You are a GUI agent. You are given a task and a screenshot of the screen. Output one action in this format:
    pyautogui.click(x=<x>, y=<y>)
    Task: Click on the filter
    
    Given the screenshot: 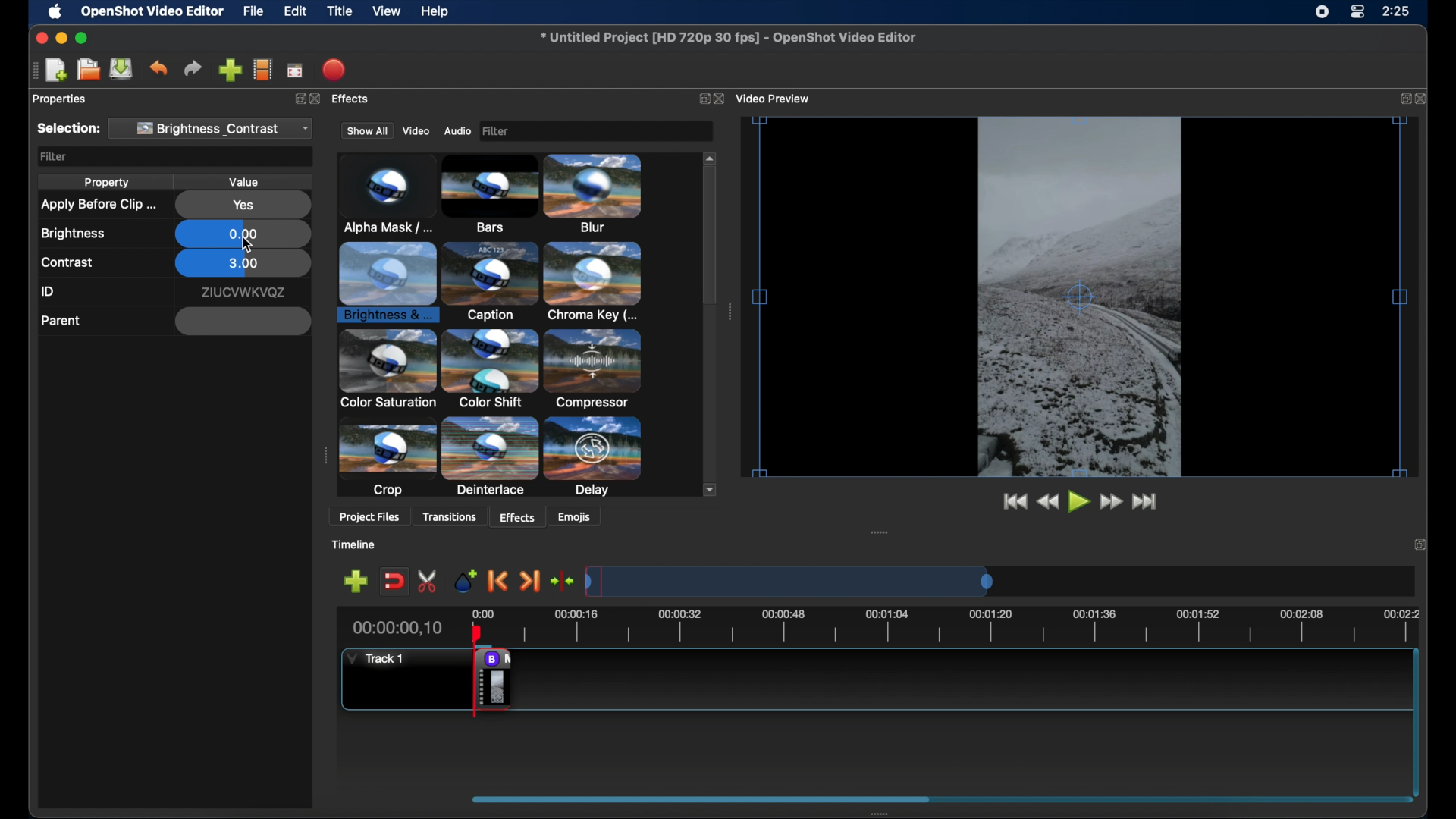 What is the action you would take?
    pyautogui.click(x=54, y=157)
    